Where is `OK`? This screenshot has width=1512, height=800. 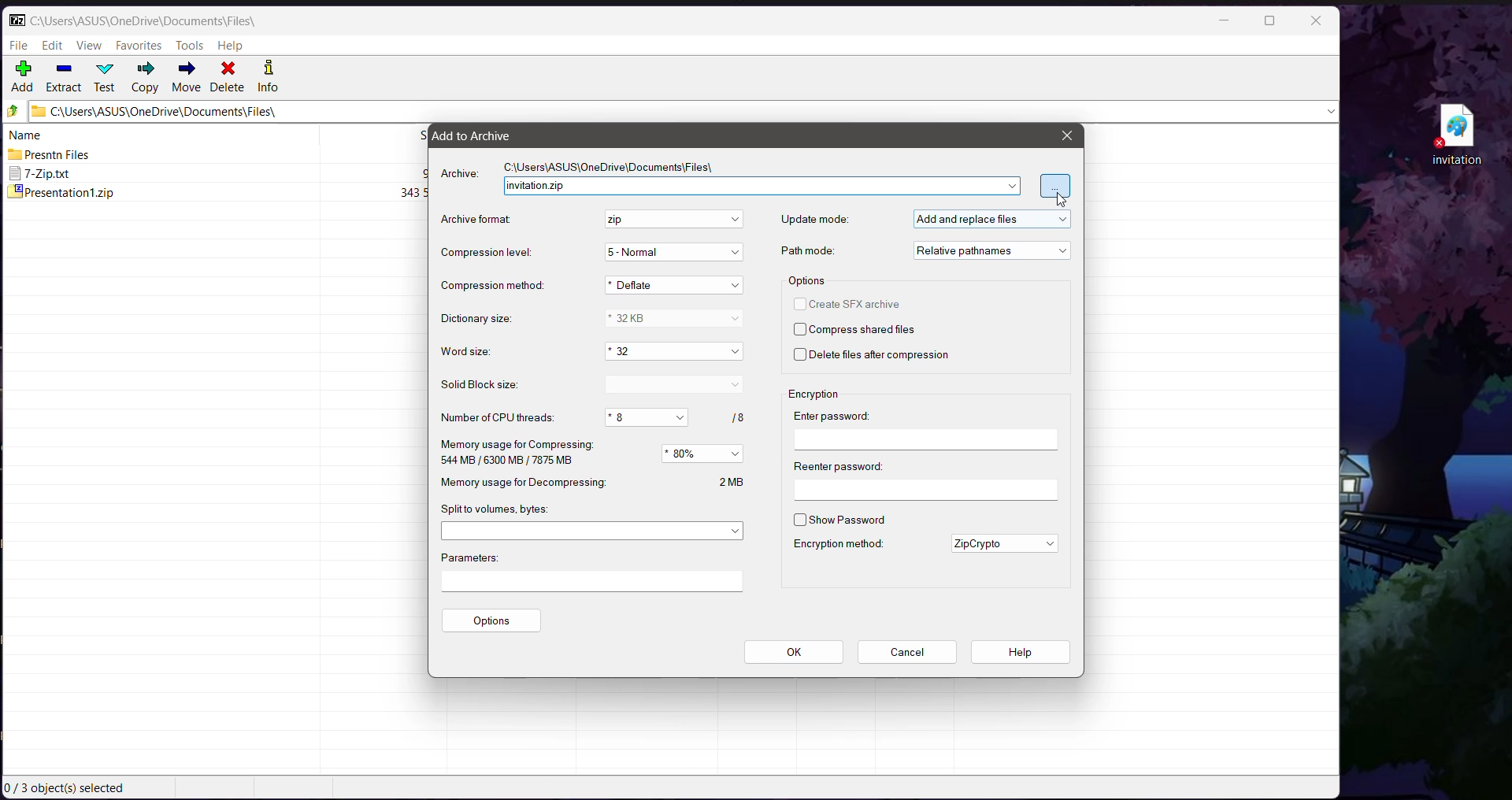 OK is located at coordinates (795, 653).